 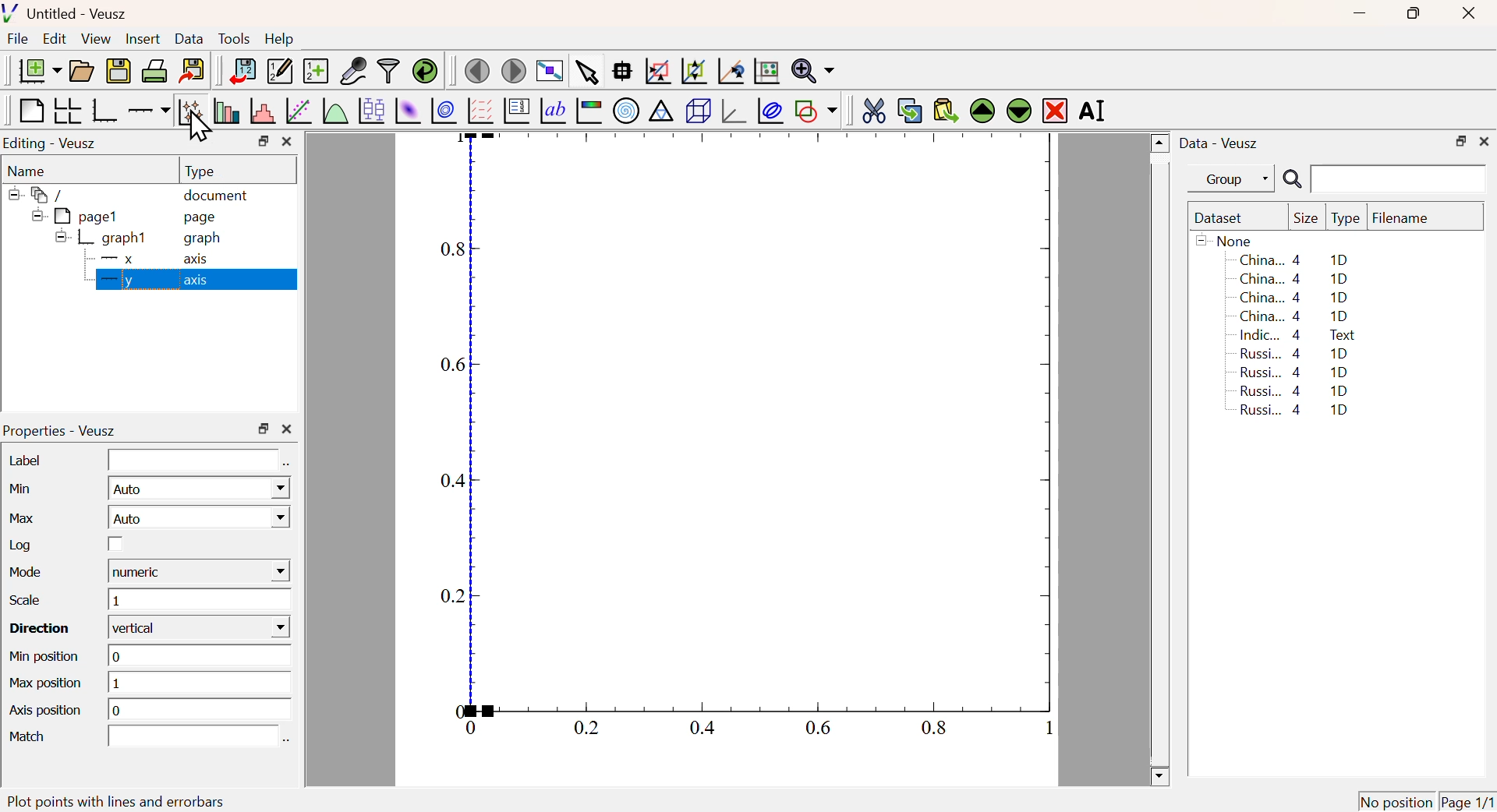 I want to click on China... 4 1D, so click(x=1296, y=298).